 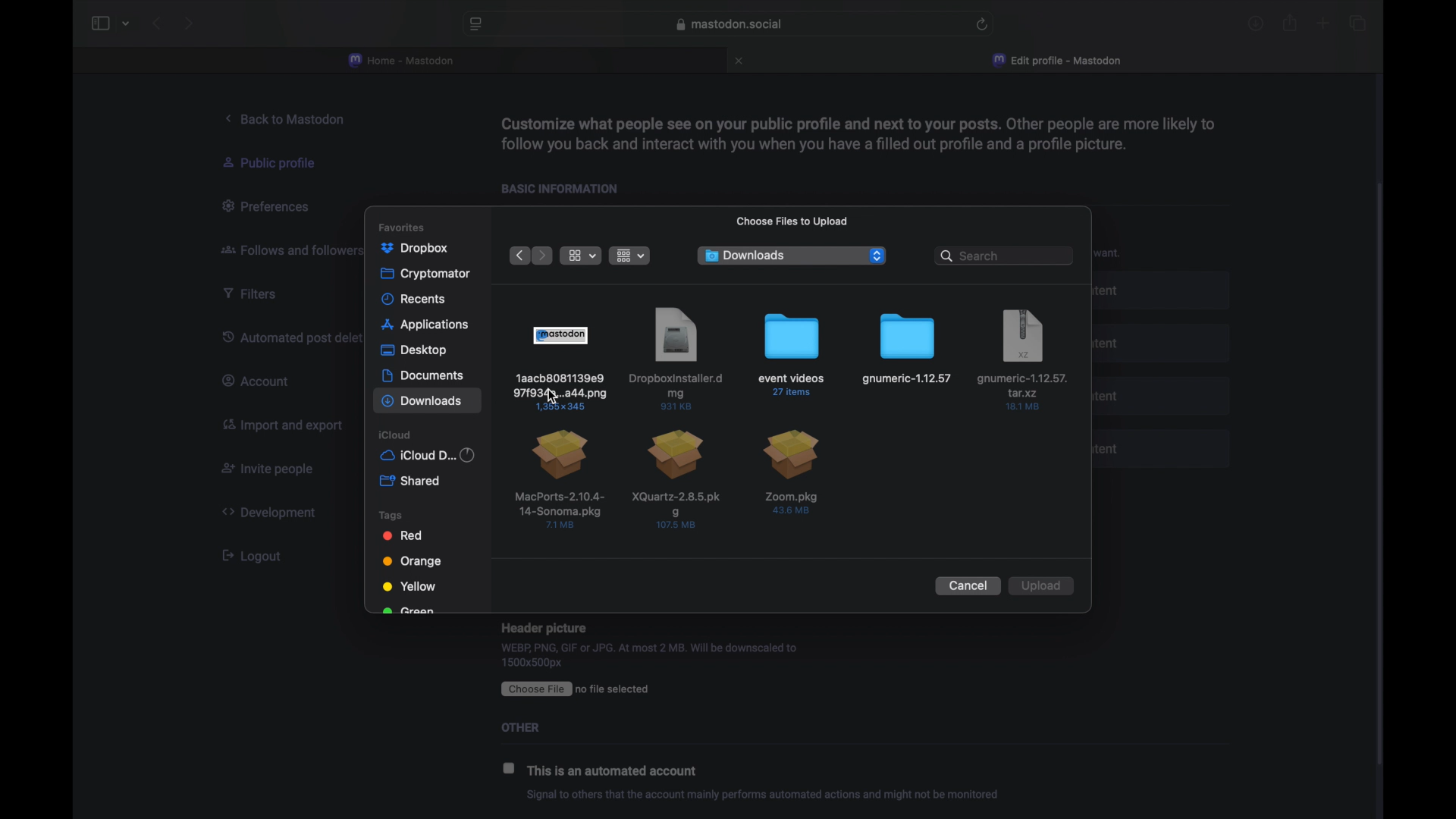 I want to click on red, so click(x=403, y=535).